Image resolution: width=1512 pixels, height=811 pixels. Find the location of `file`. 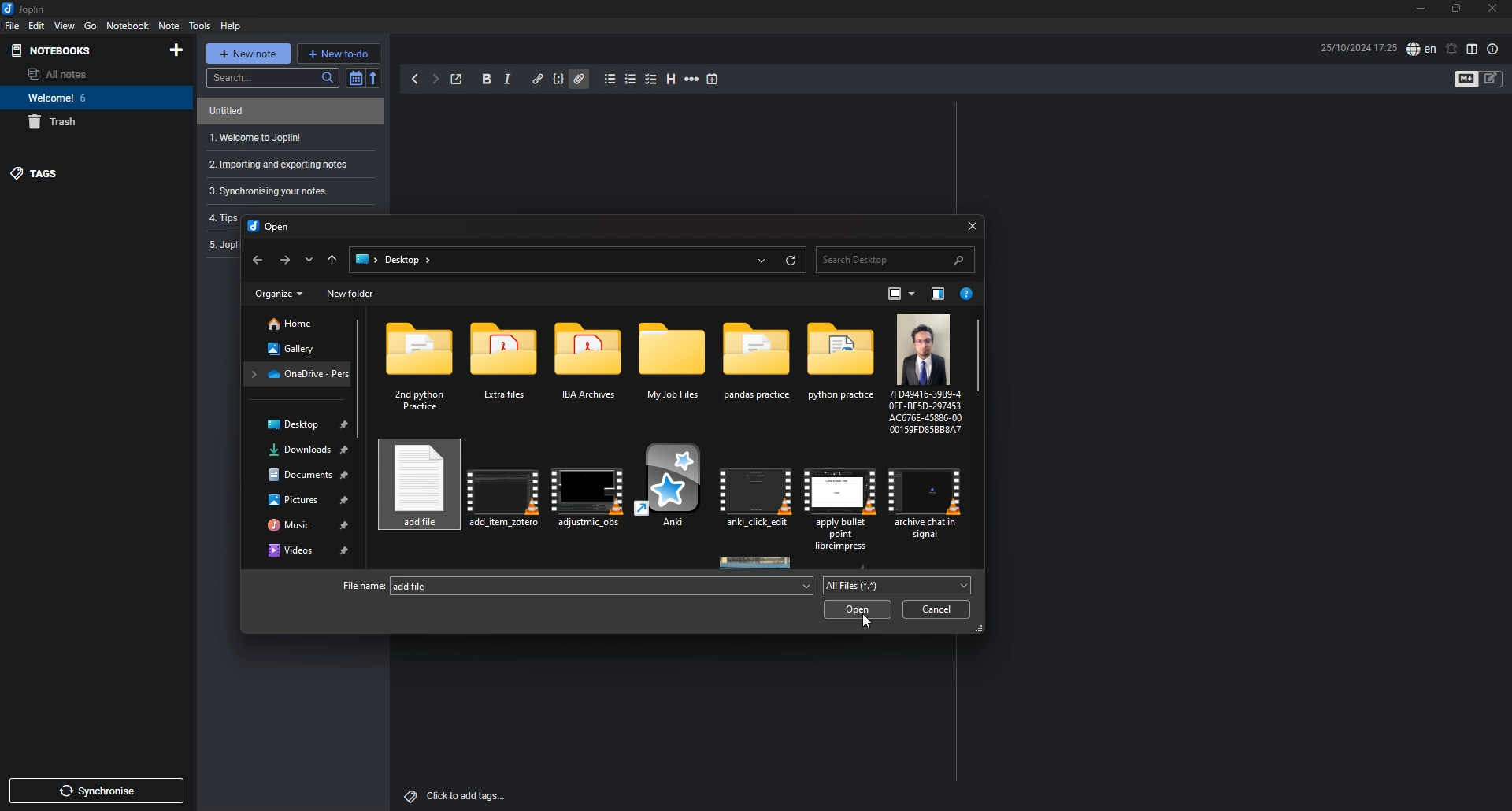

file is located at coordinates (923, 373).